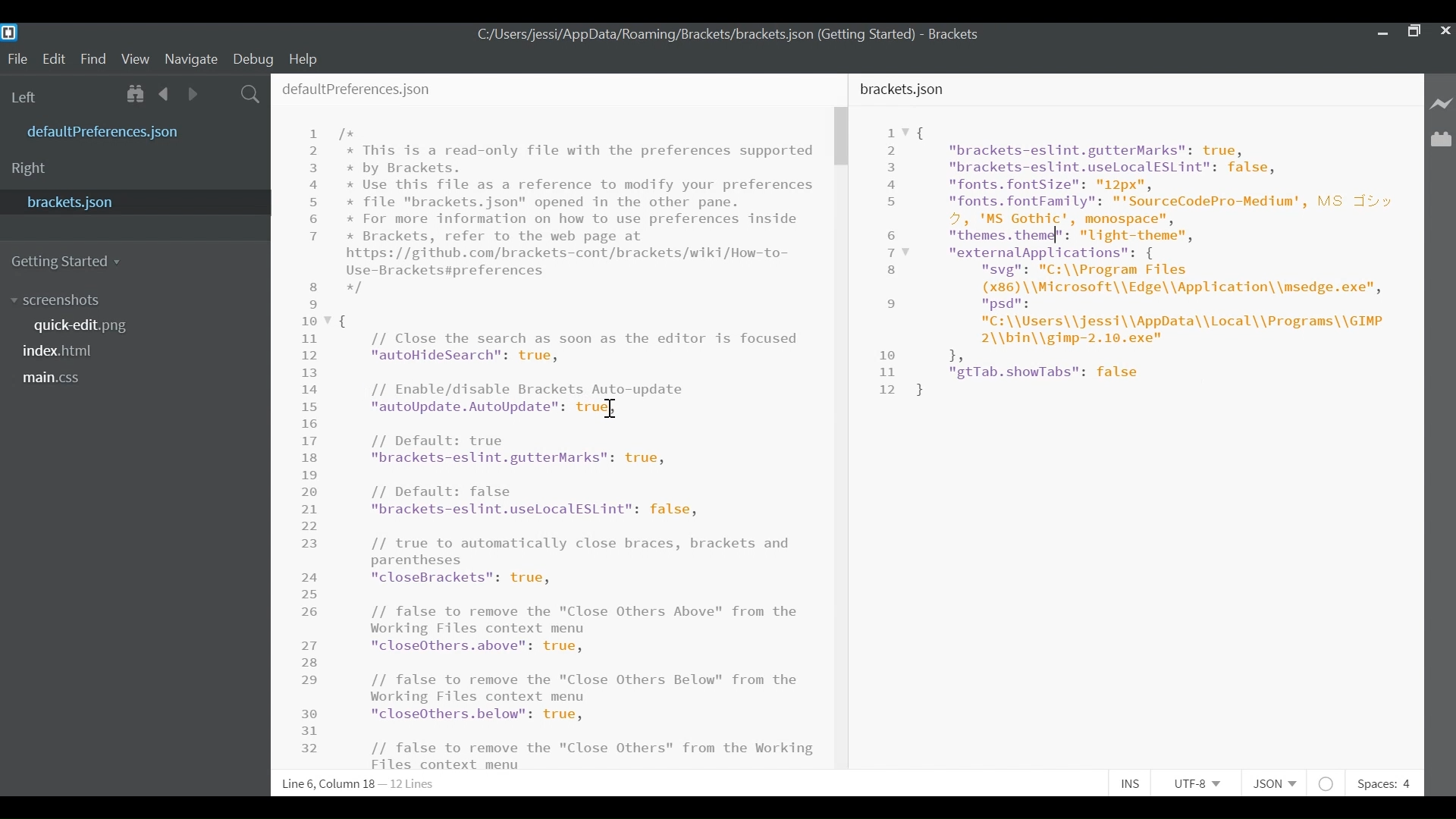 Image resolution: width=1456 pixels, height=819 pixels. Describe the element at coordinates (192, 58) in the screenshot. I see `Navigate` at that location.